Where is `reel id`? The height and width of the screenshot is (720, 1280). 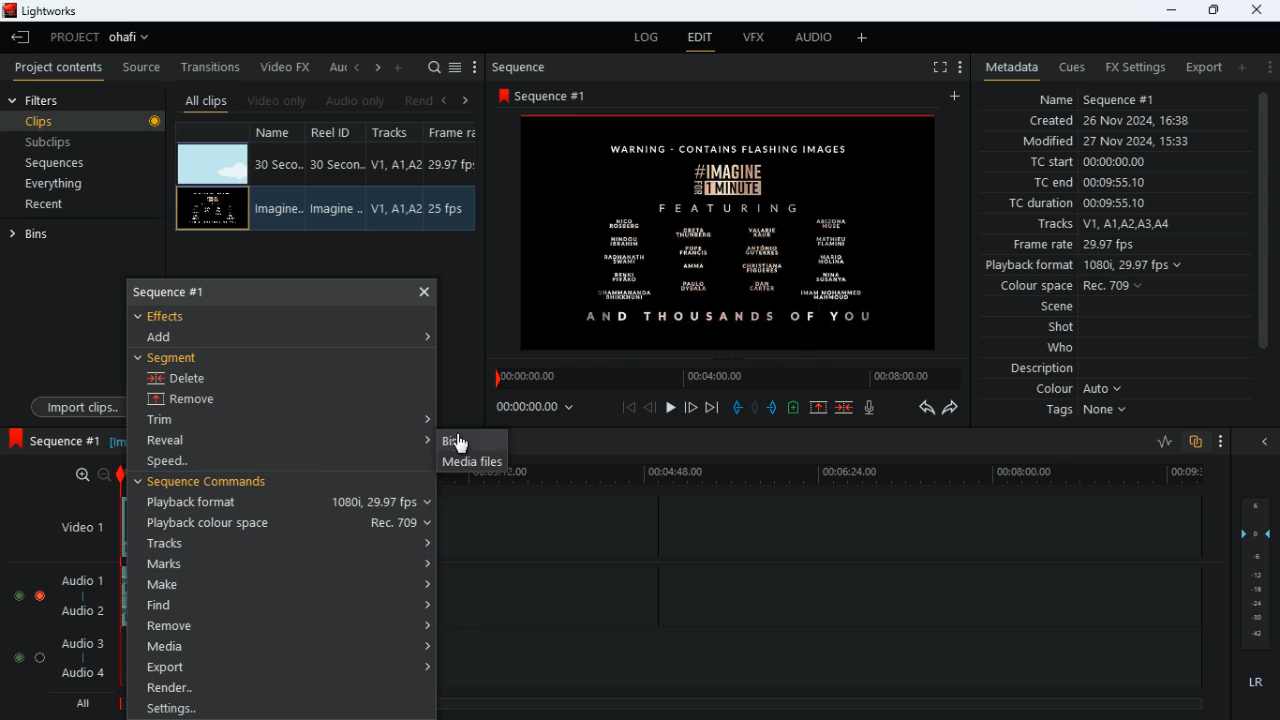 reel id is located at coordinates (334, 135).